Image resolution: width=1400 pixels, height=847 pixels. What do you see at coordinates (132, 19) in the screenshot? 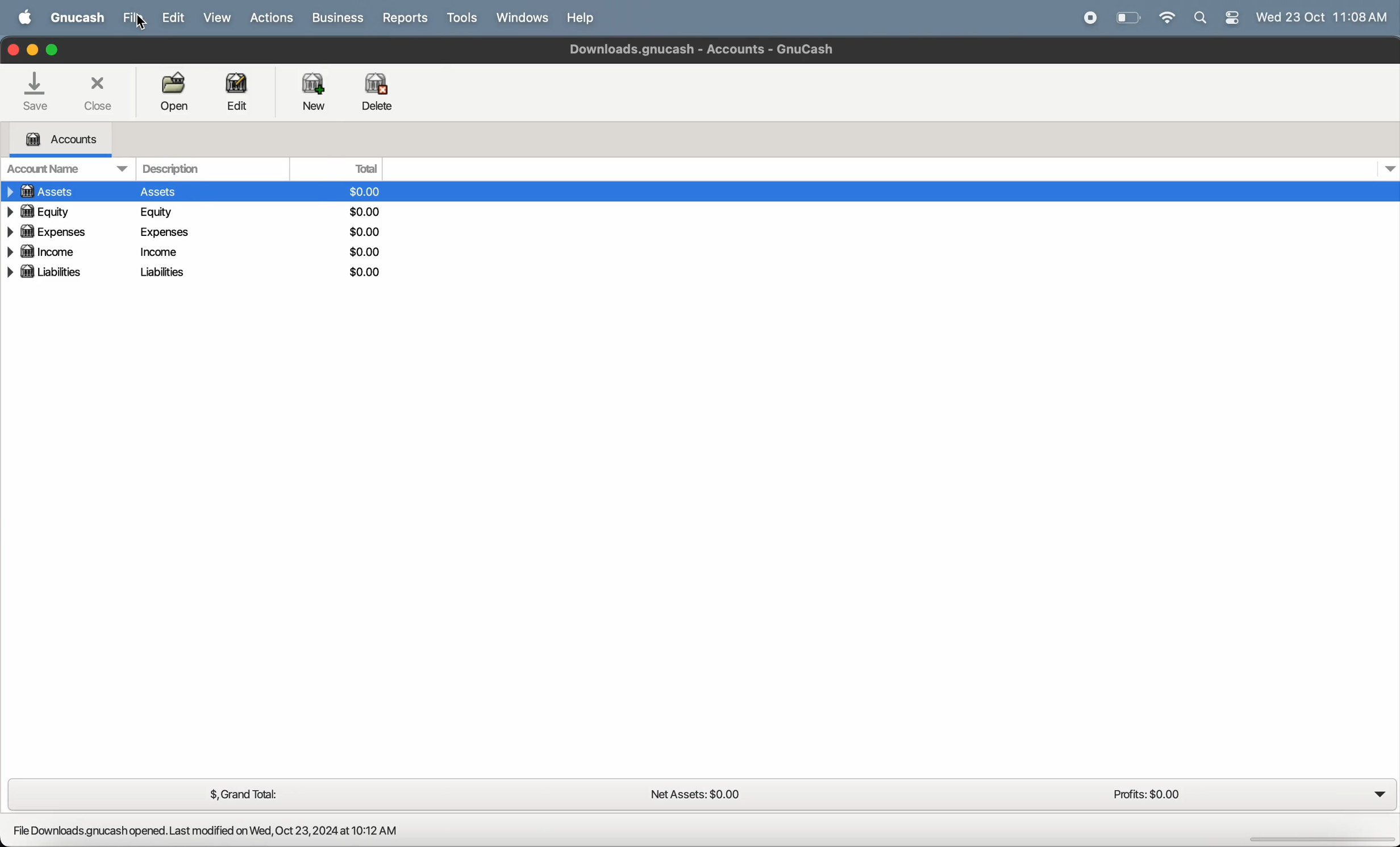
I see `file` at bounding box center [132, 19].